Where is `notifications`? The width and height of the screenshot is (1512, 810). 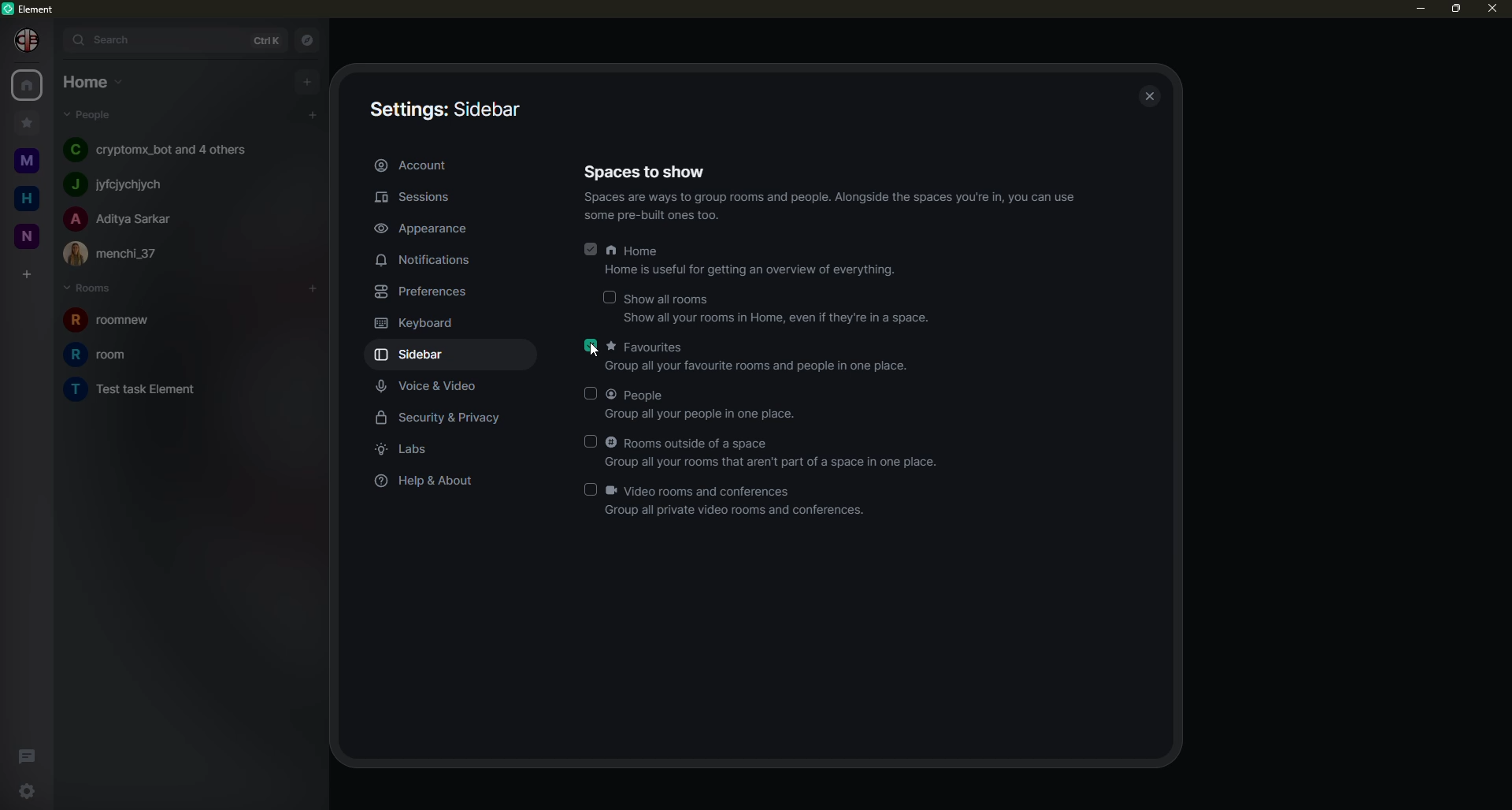
notifications is located at coordinates (430, 260).